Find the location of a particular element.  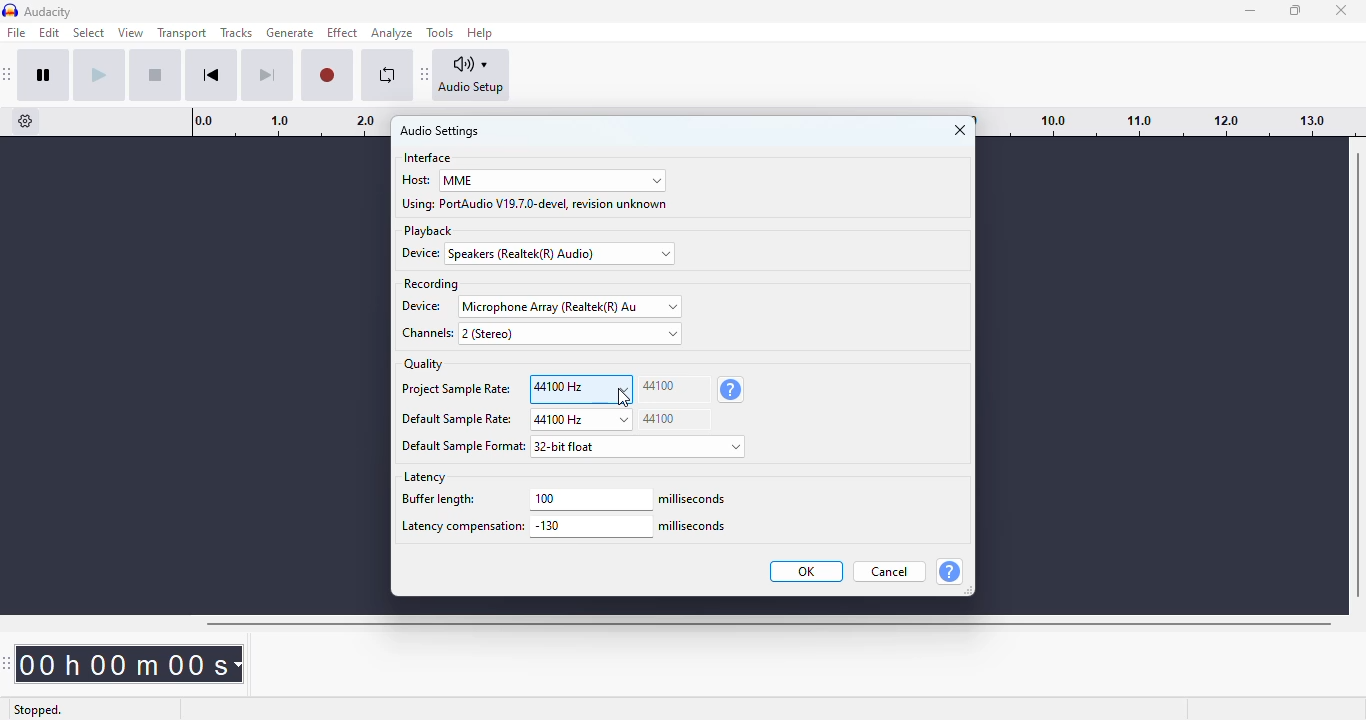

record is located at coordinates (327, 76).